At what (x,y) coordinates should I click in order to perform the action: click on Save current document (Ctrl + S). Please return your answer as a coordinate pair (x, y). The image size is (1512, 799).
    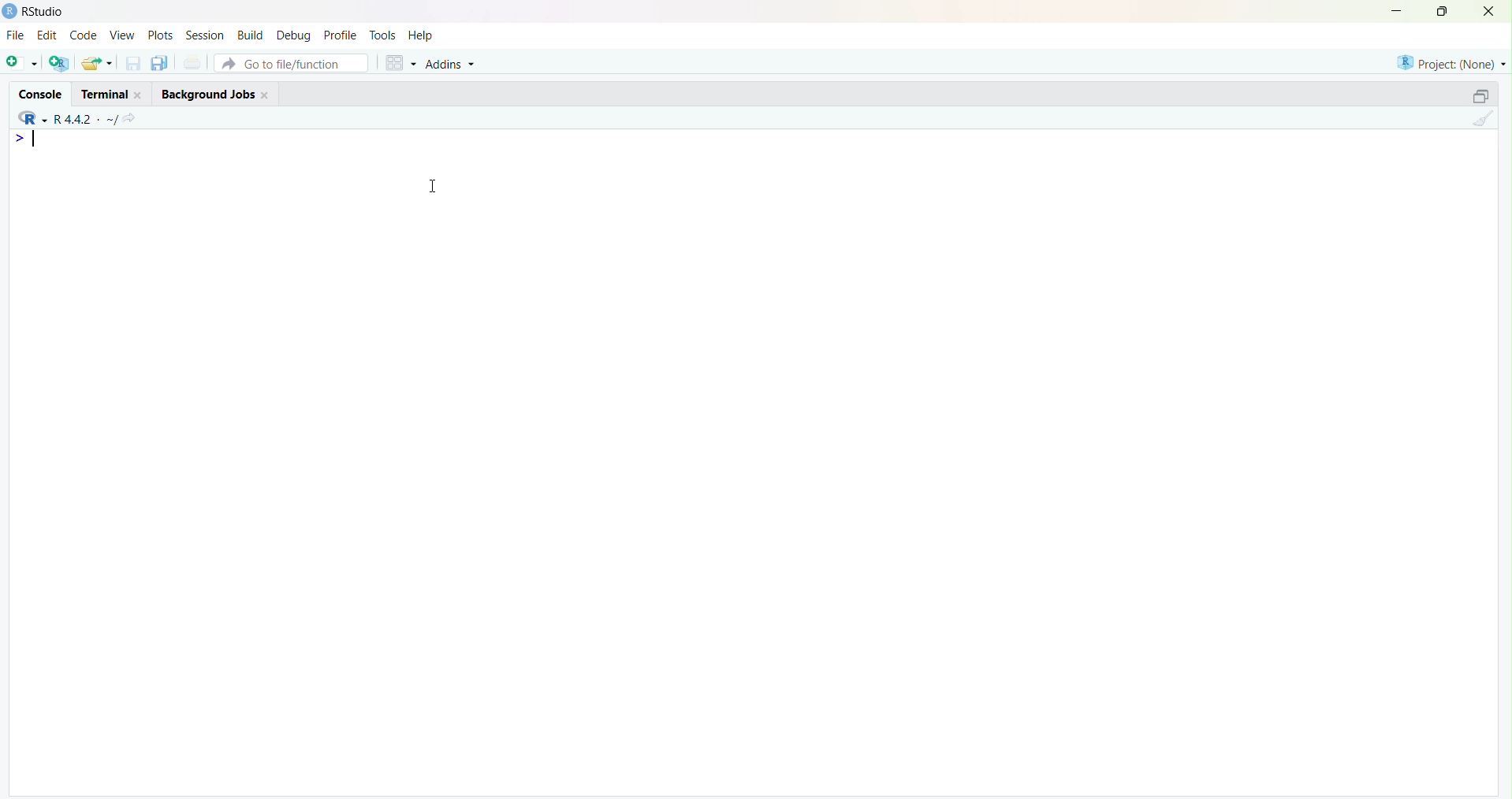
    Looking at the image, I should click on (132, 64).